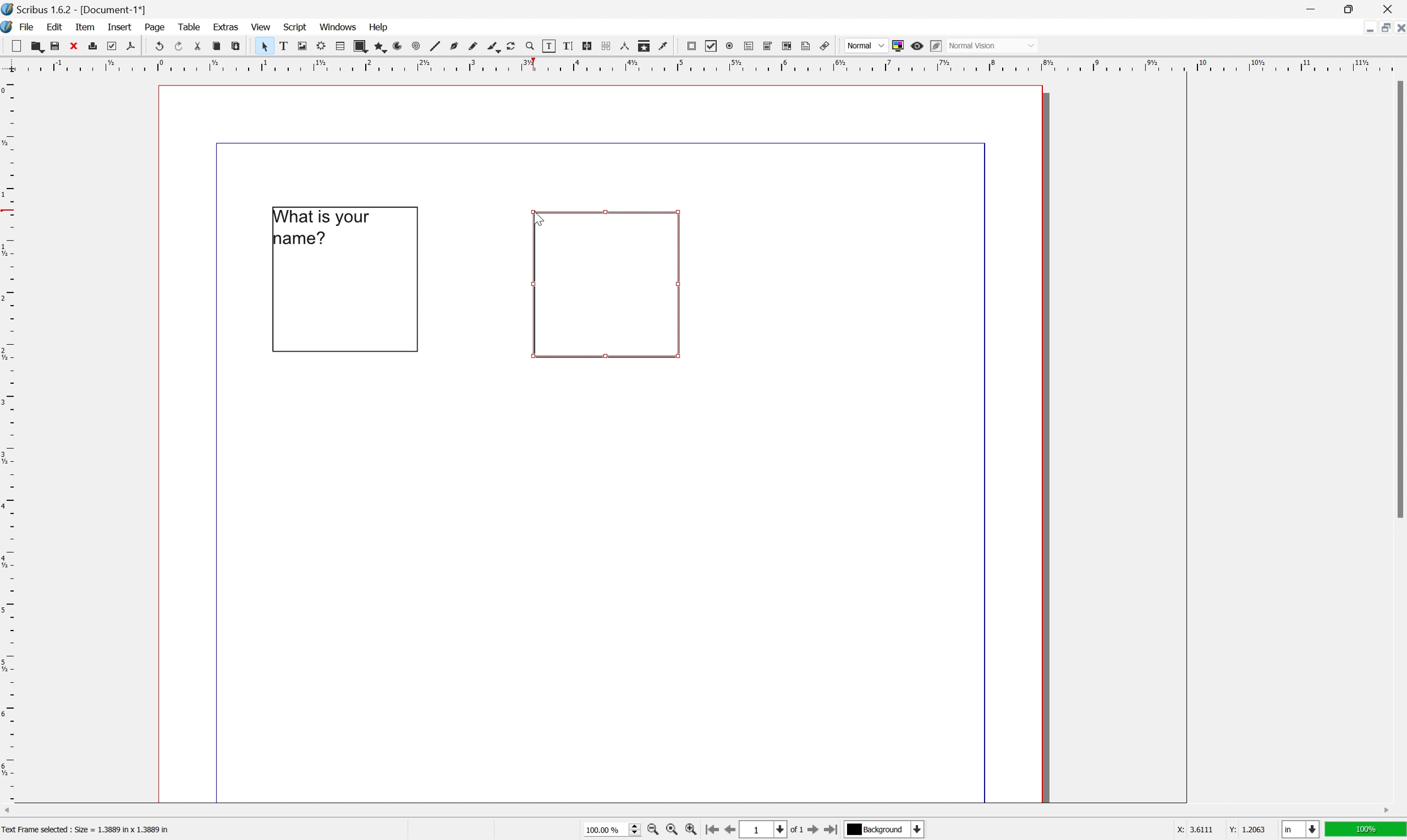 Image resolution: width=1407 pixels, height=840 pixels. What do you see at coordinates (1219, 829) in the screenshot?
I see `coordinates` at bounding box center [1219, 829].